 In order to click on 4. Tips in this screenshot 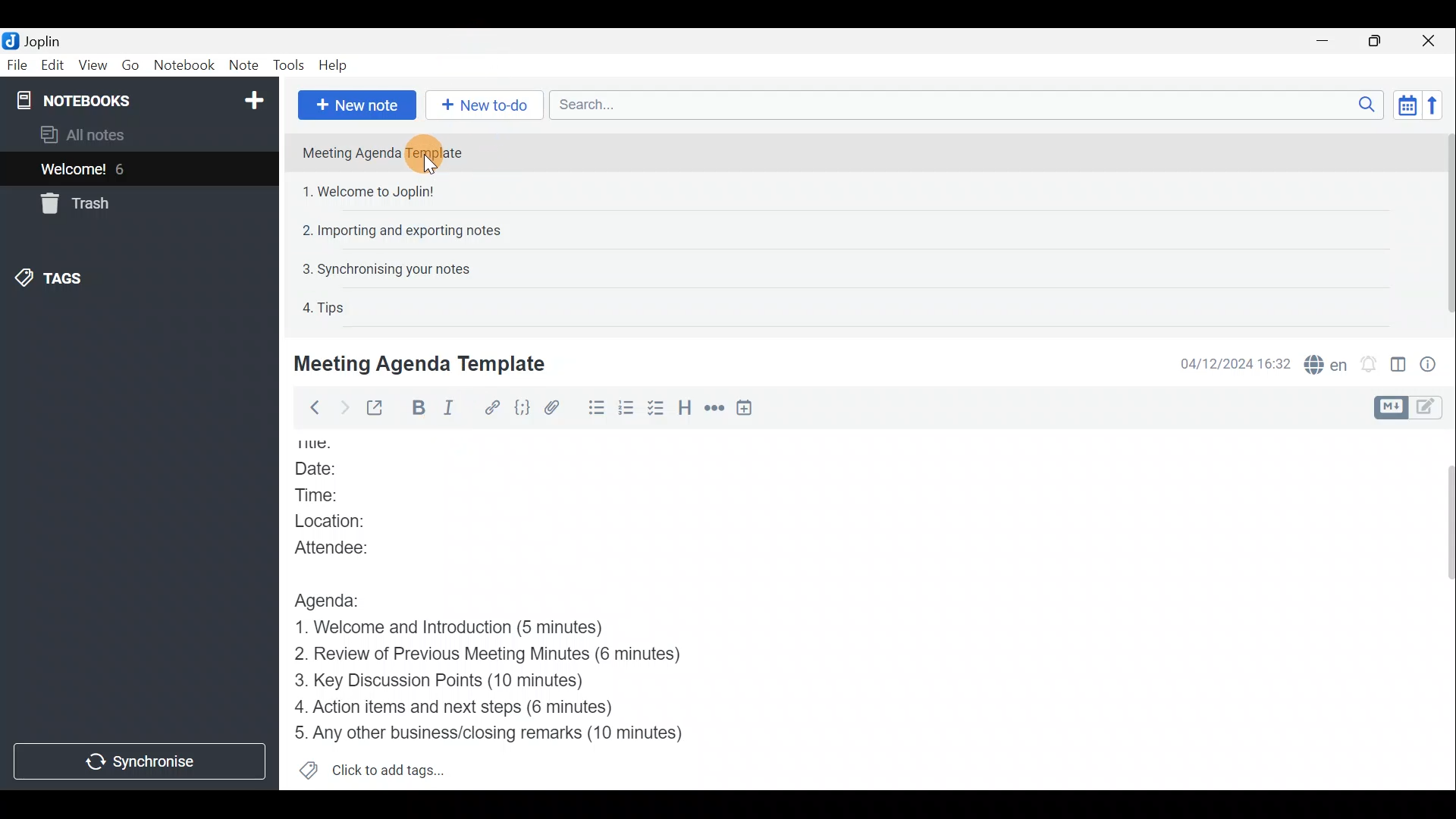, I will do `click(325, 307)`.